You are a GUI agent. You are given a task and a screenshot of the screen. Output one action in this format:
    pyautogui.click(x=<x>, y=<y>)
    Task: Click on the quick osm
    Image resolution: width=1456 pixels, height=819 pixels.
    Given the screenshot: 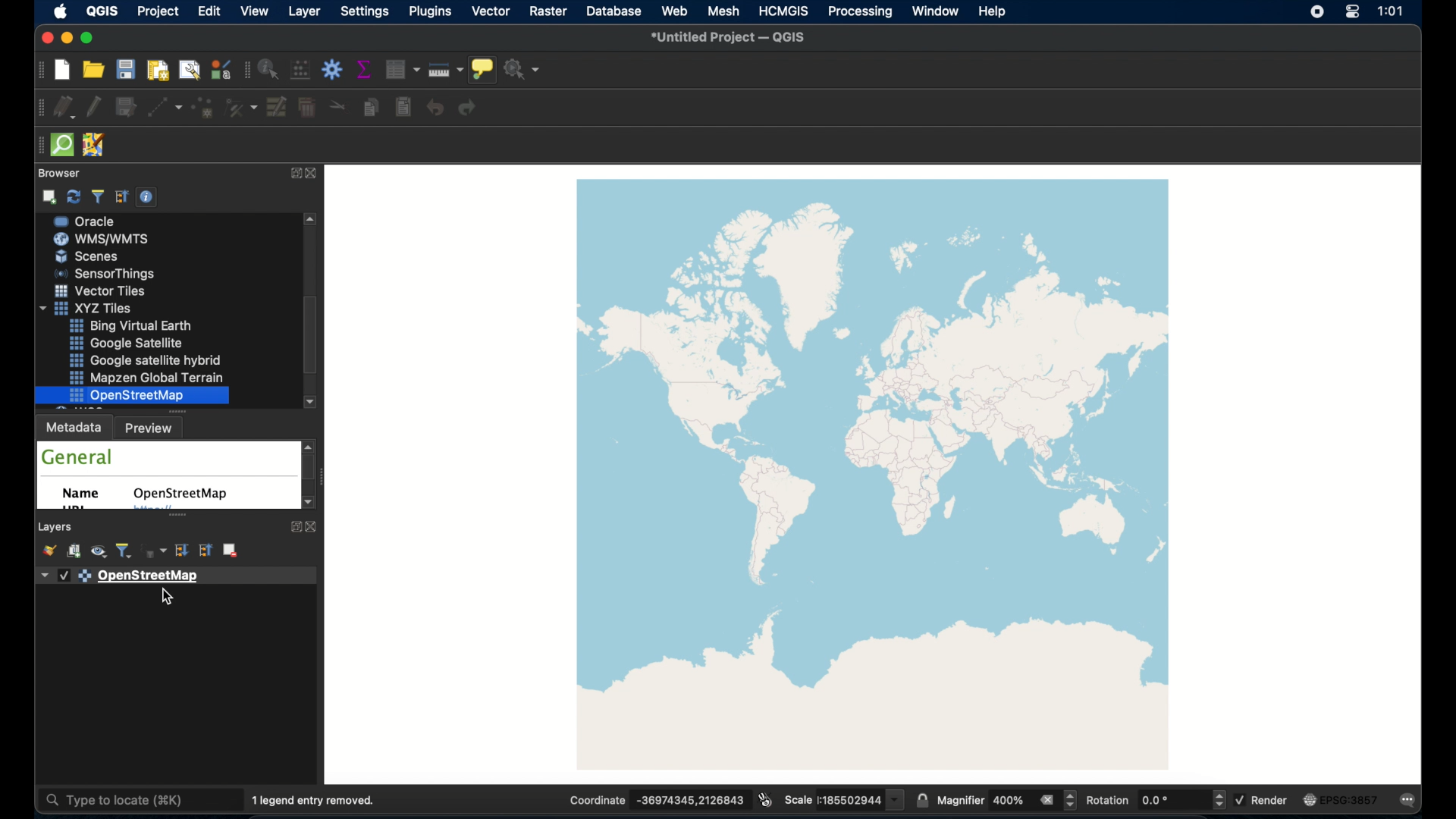 What is the action you would take?
    pyautogui.click(x=61, y=145)
    